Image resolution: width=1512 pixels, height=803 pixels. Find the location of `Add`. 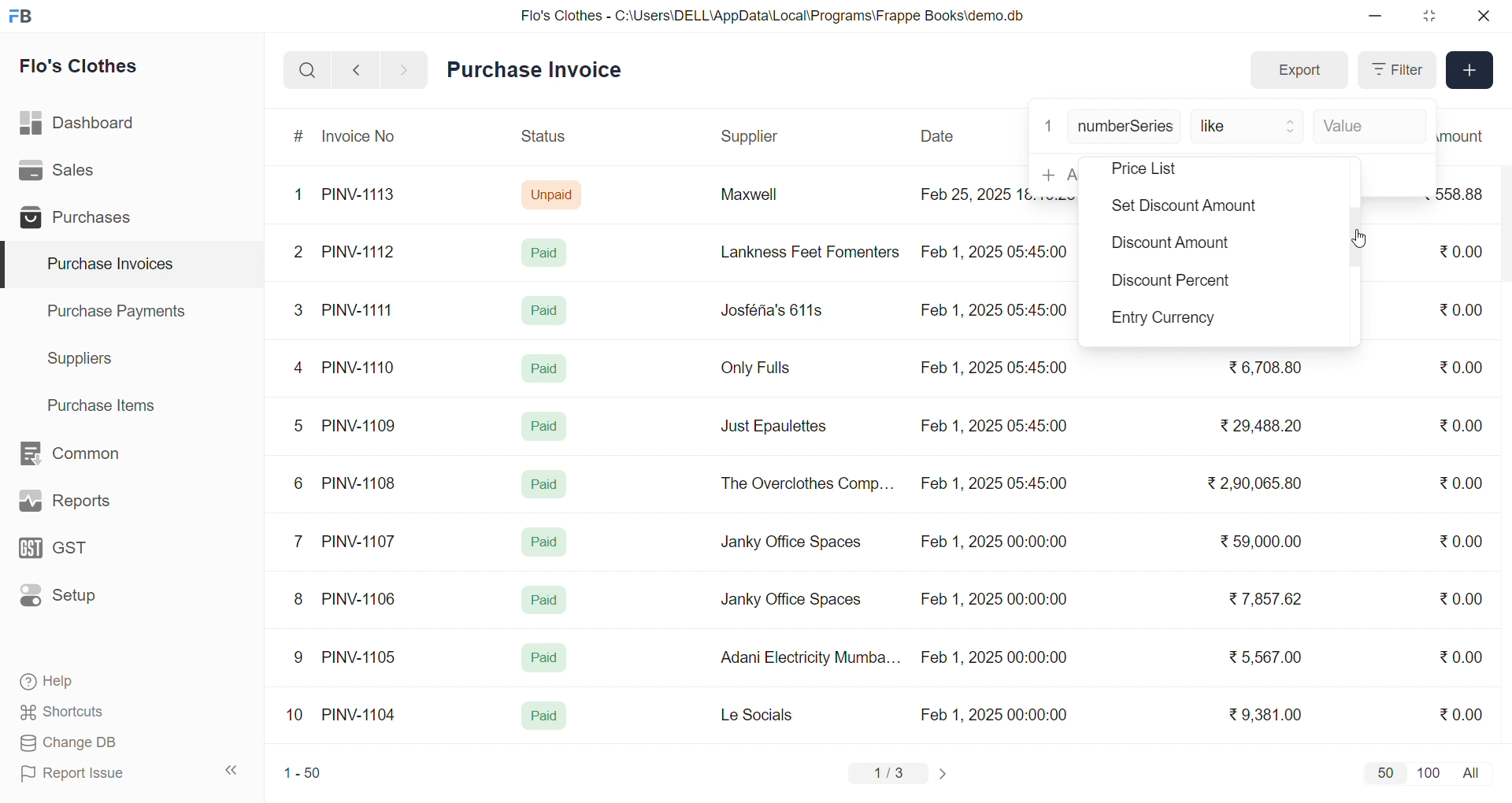

Add is located at coordinates (1470, 71).